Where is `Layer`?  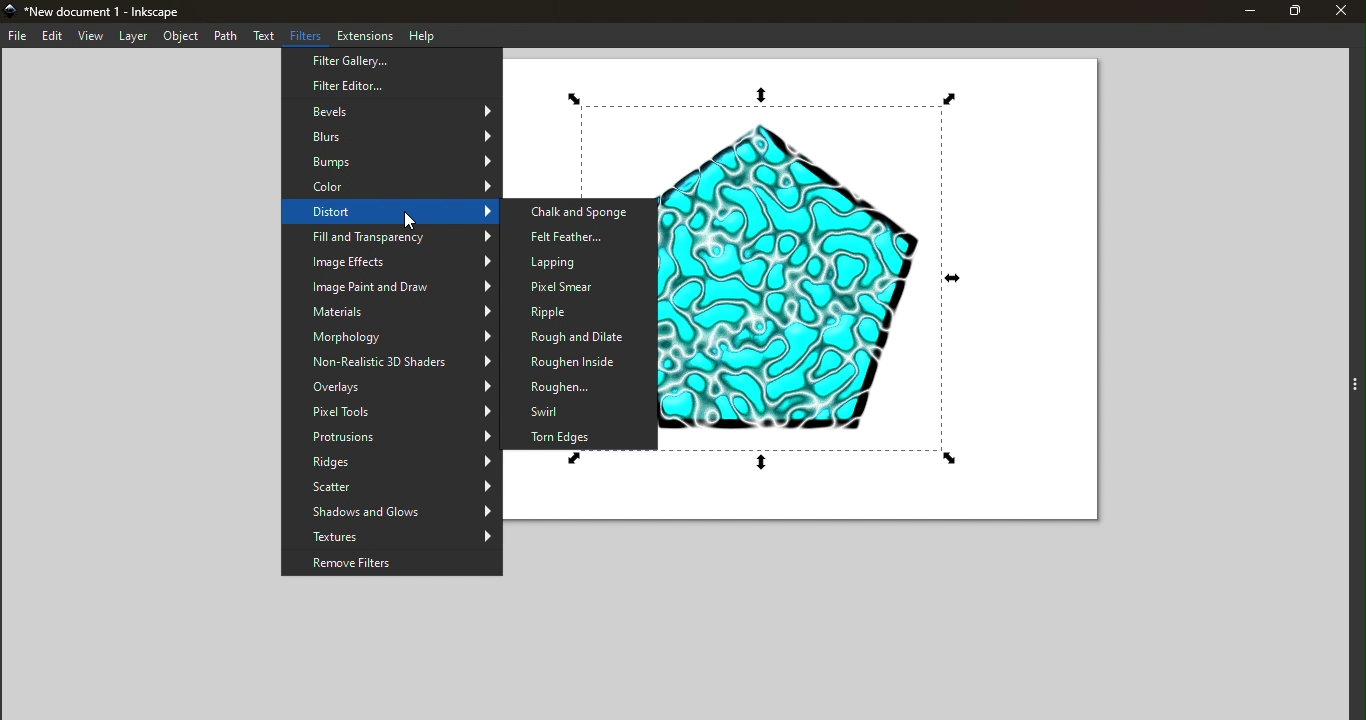
Layer is located at coordinates (130, 37).